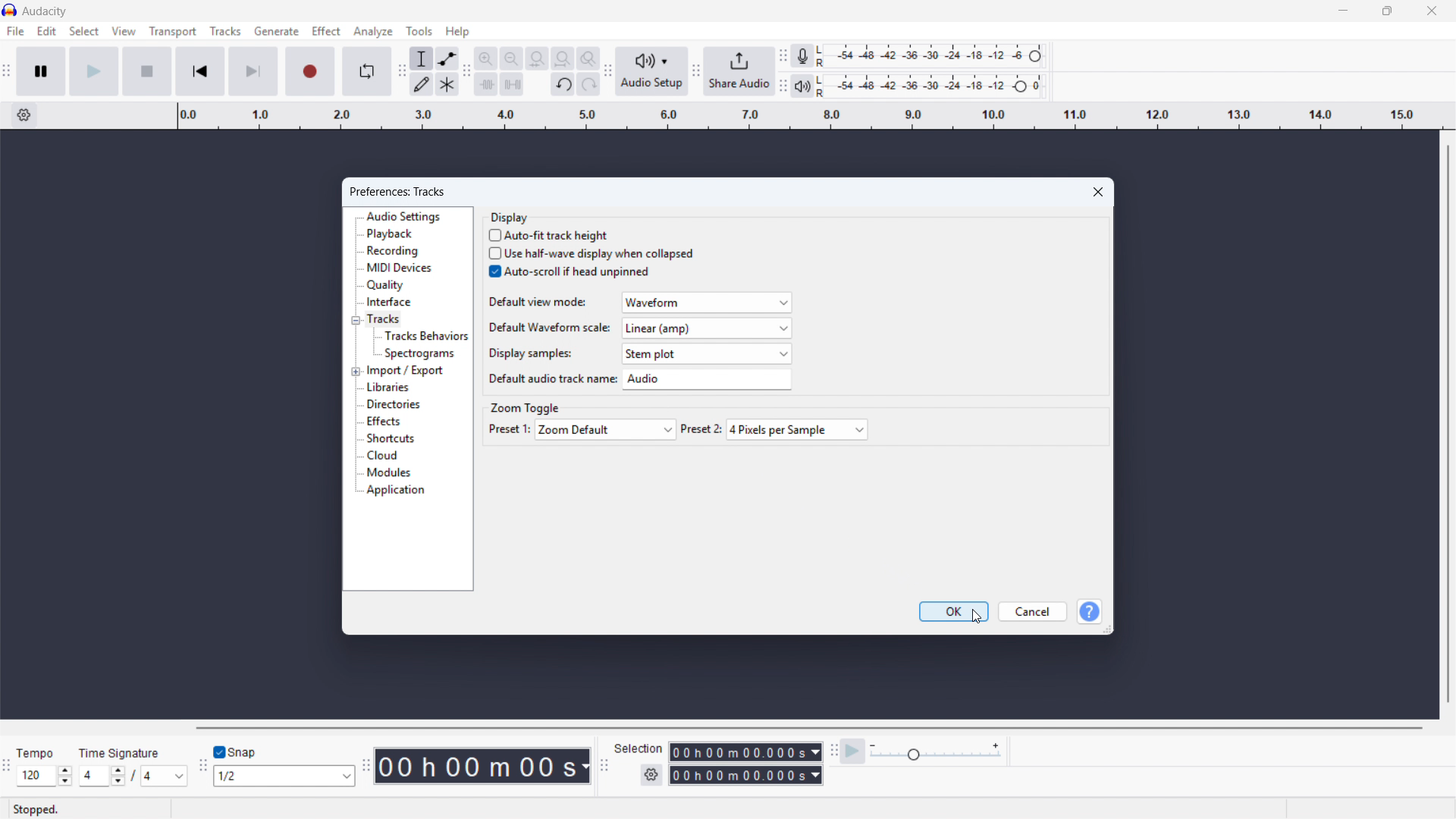 The height and width of the screenshot is (819, 1456). What do you see at coordinates (447, 83) in the screenshot?
I see `multi tool` at bounding box center [447, 83].